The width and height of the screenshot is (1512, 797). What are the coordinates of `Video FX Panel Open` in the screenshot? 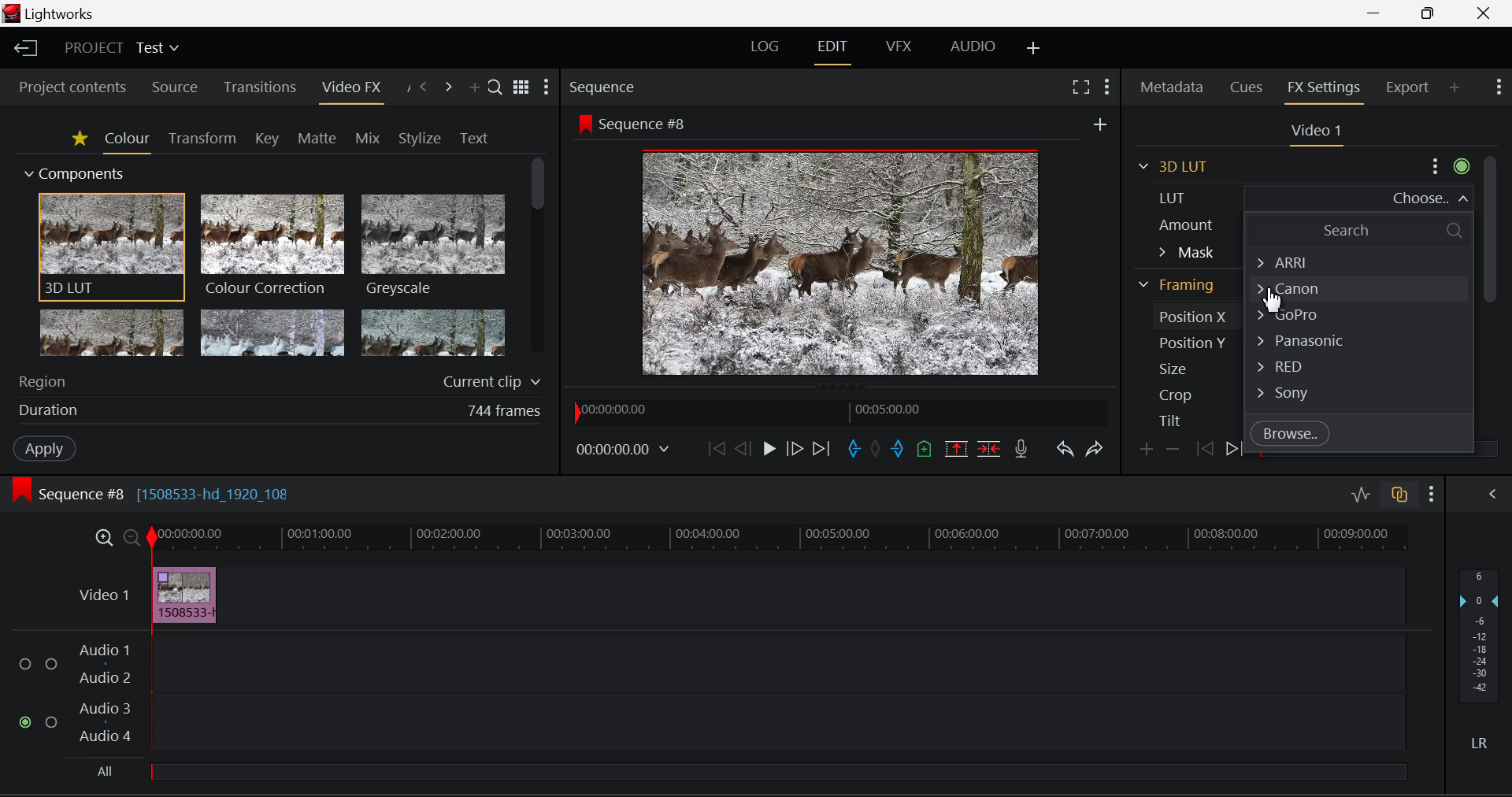 It's located at (353, 91).